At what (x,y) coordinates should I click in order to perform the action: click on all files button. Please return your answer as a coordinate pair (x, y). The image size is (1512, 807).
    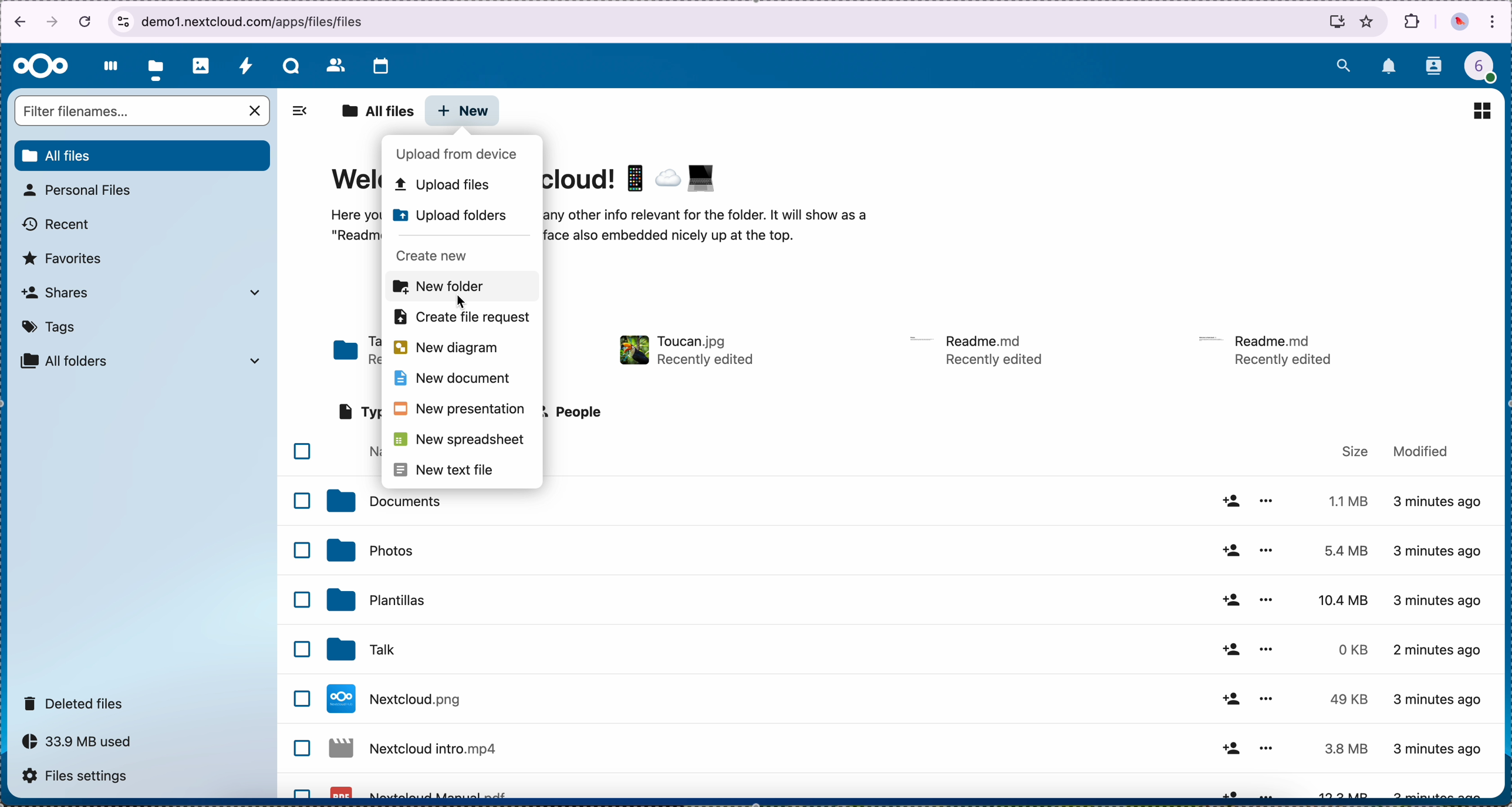
    Looking at the image, I should click on (144, 156).